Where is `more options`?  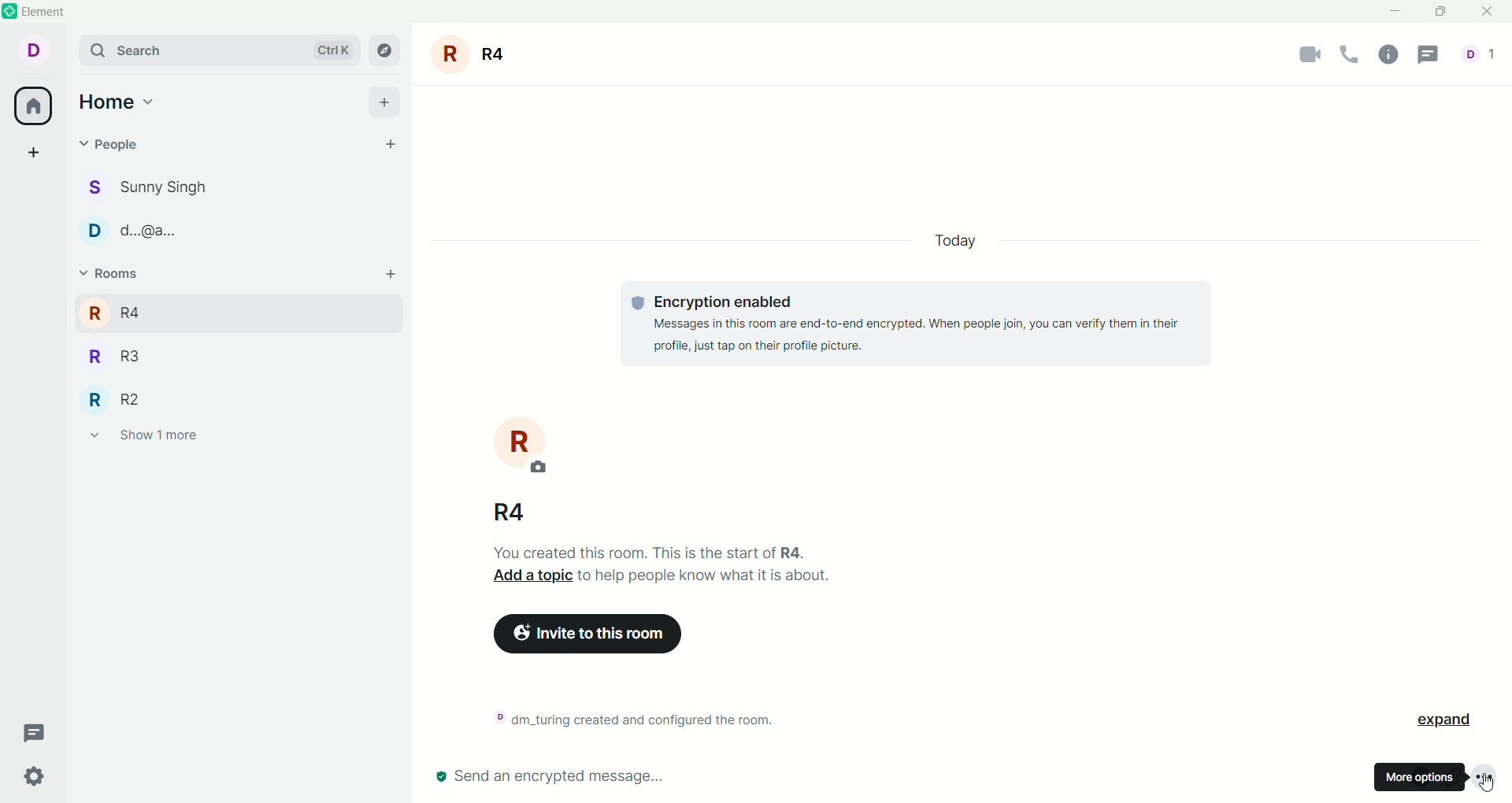
more options is located at coordinates (1420, 779).